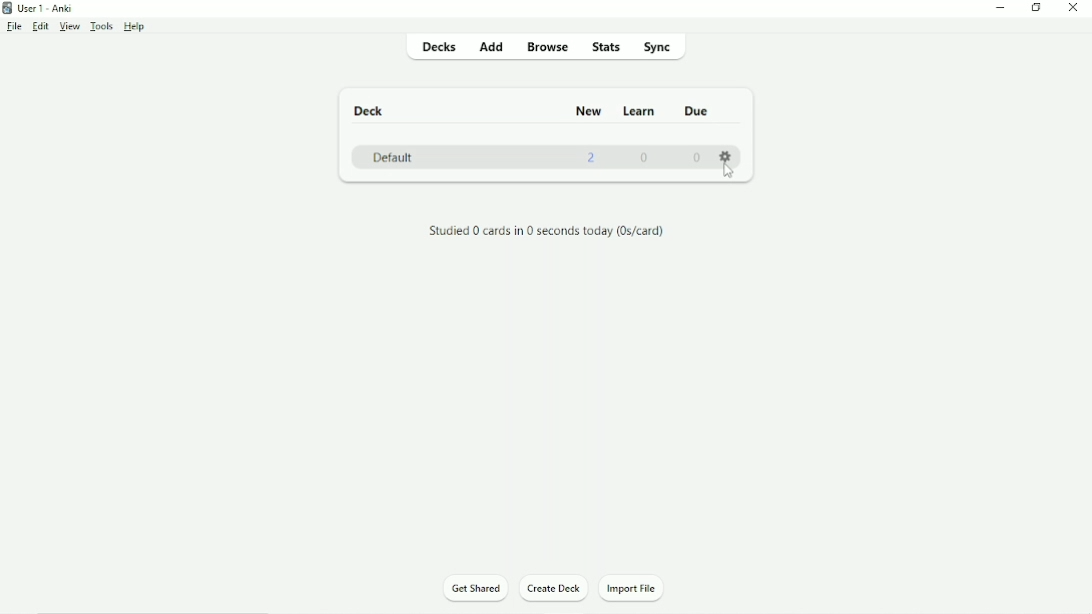 The image size is (1092, 614). What do you see at coordinates (998, 8) in the screenshot?
I see `Minimize` at bounding box center [998, 8].